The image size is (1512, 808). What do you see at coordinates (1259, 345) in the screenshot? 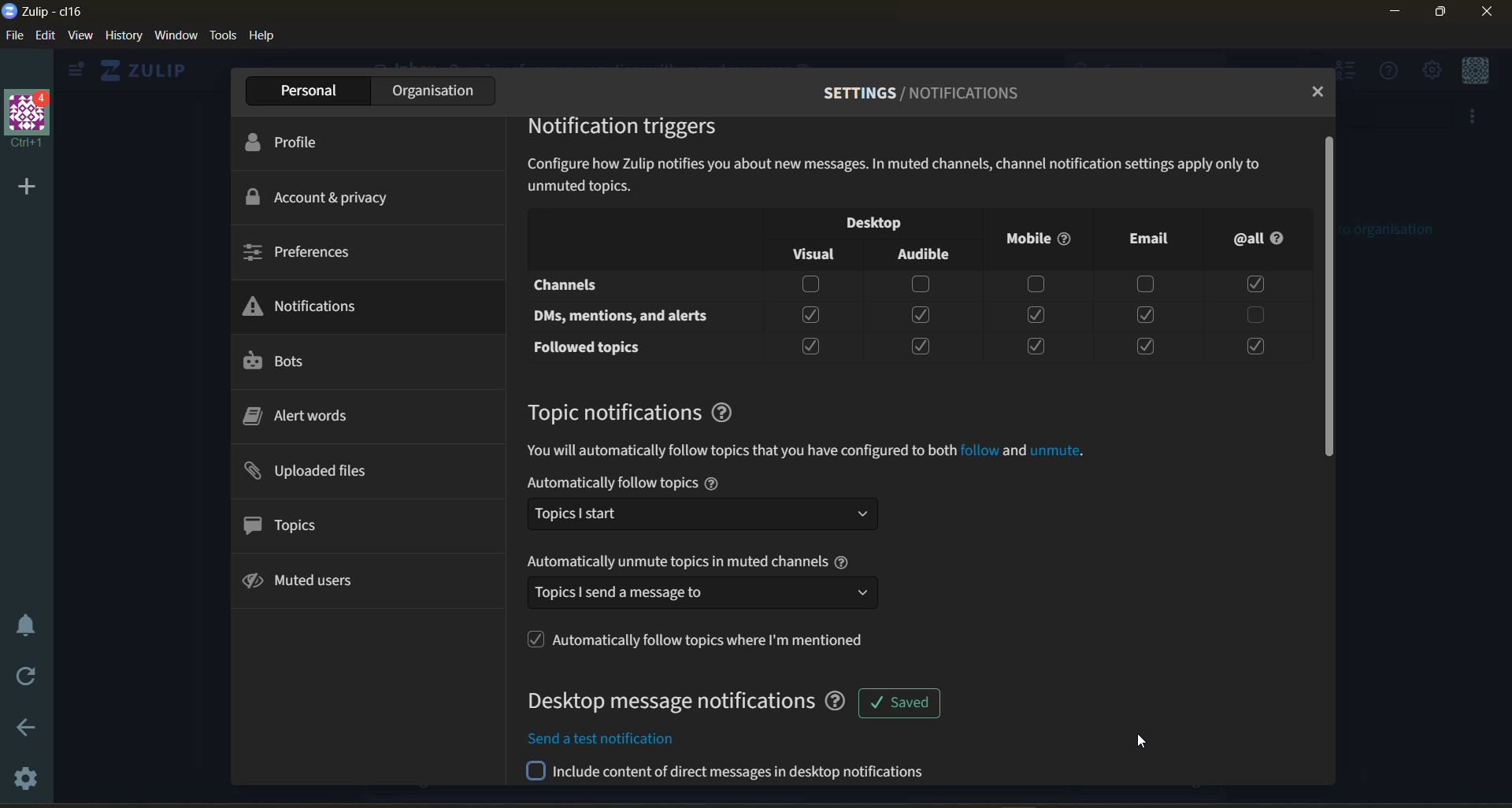
I see `Checkbox` at bounding box center [1259, 345].